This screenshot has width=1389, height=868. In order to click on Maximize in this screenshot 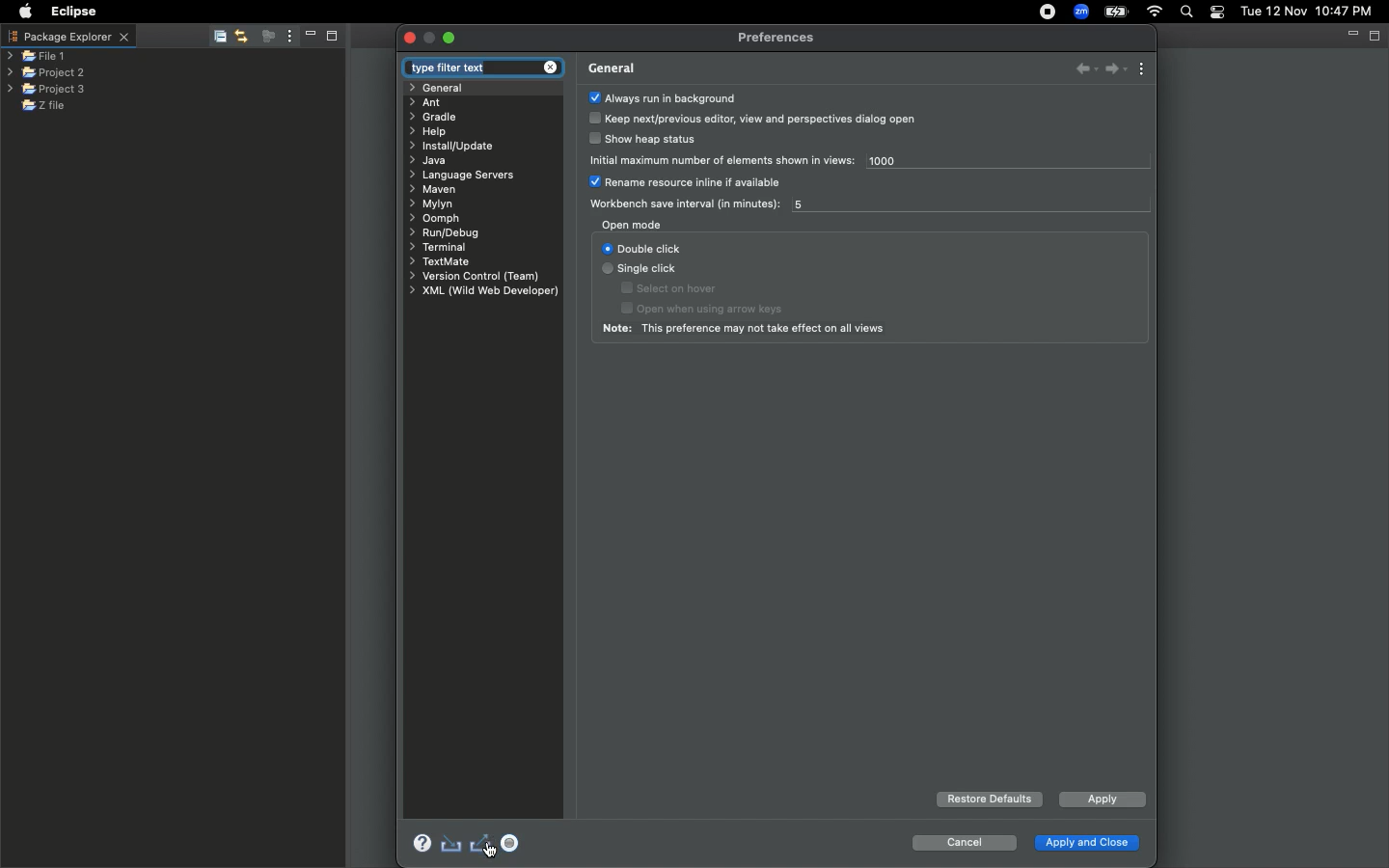, I will do `click(1376, 37)`.